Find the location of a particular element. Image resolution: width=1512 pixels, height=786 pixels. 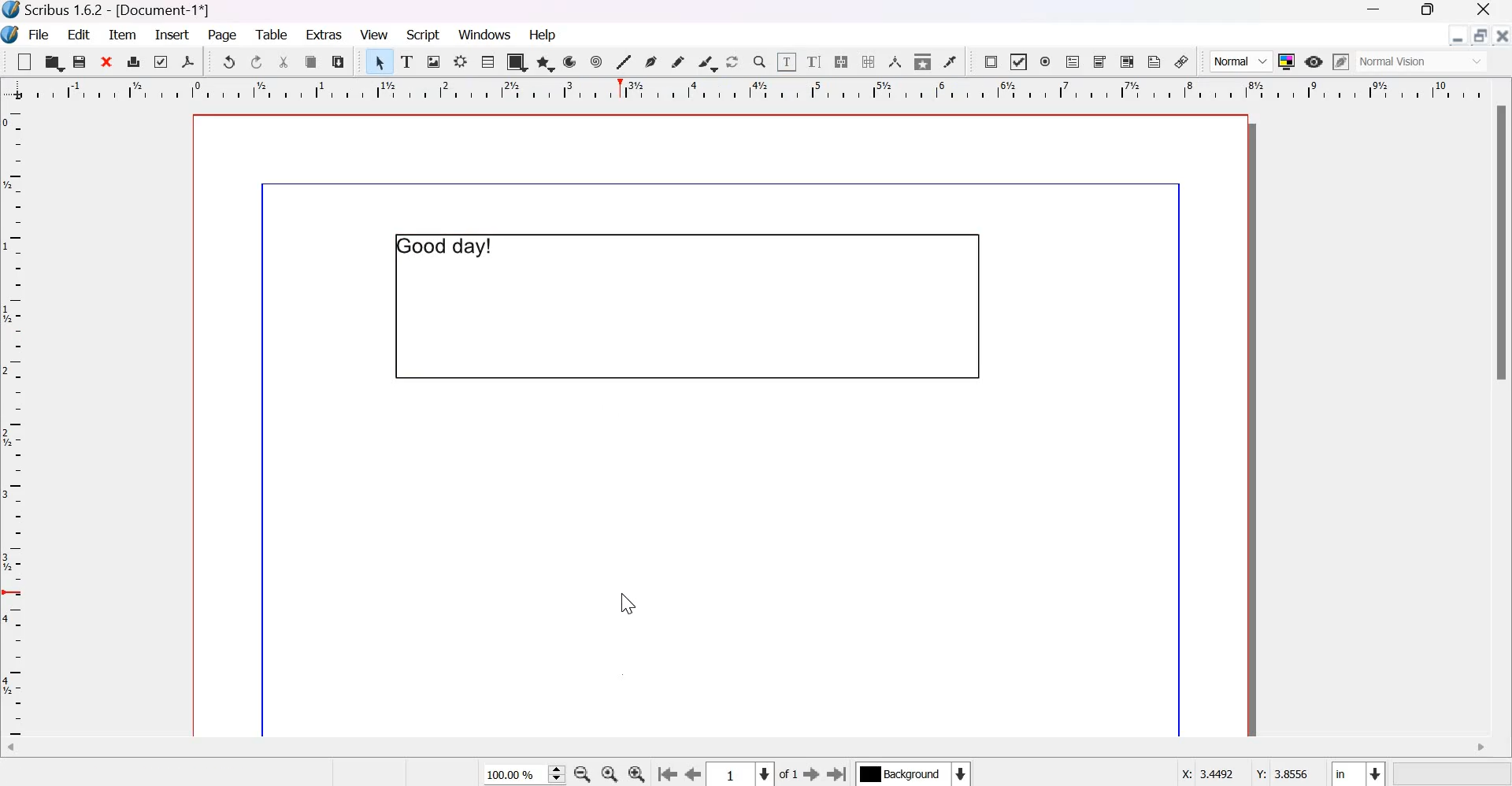

save is located at coordinates (80, 61).